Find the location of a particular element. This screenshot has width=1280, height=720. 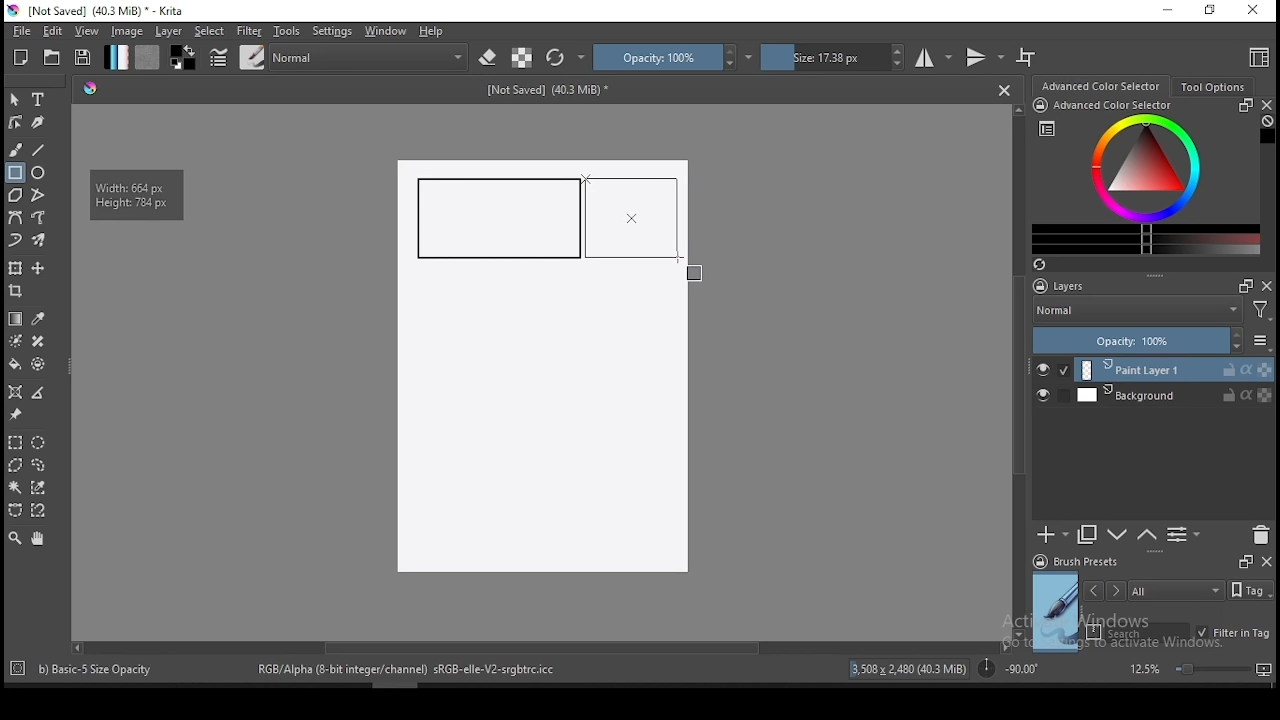

freehand path tool is located at coordinates (40, 218).